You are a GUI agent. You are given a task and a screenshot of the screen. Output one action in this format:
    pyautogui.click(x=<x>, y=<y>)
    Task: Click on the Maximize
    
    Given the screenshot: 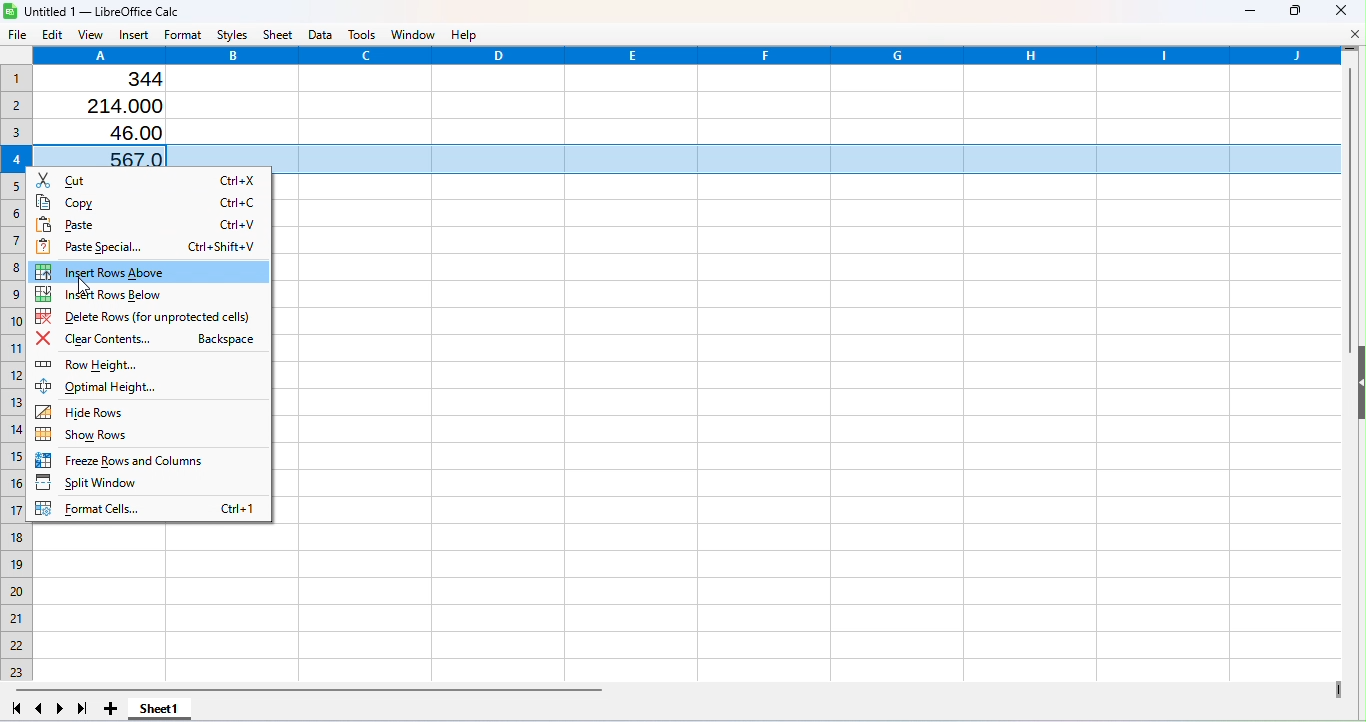 What is the action you would take?
    pyautogui.click(x=1294, y=11)
    